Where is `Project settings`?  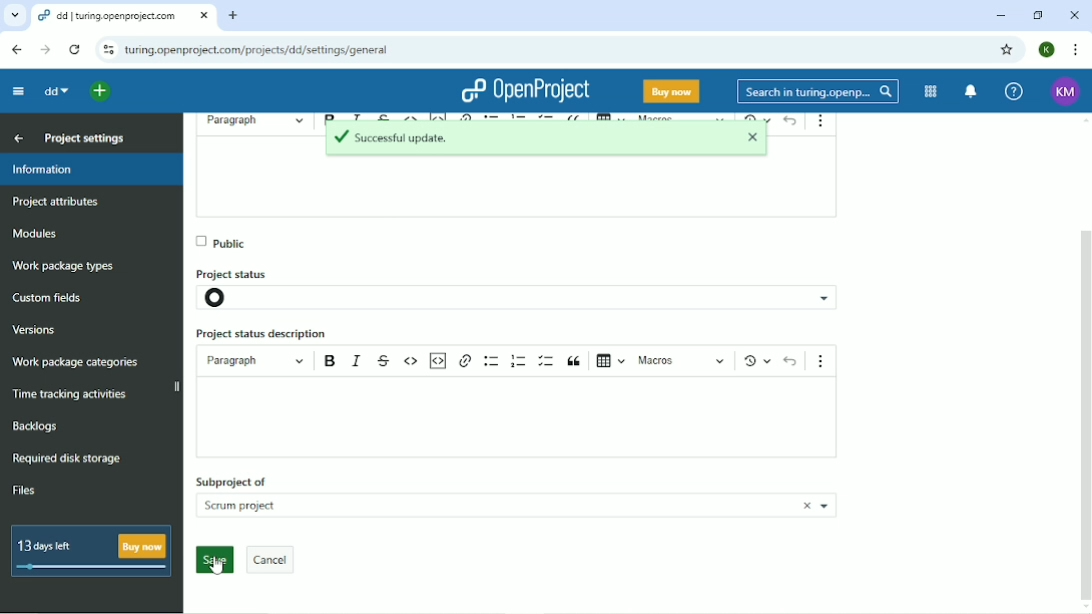 Project settings is located at coordinates (83, 137).